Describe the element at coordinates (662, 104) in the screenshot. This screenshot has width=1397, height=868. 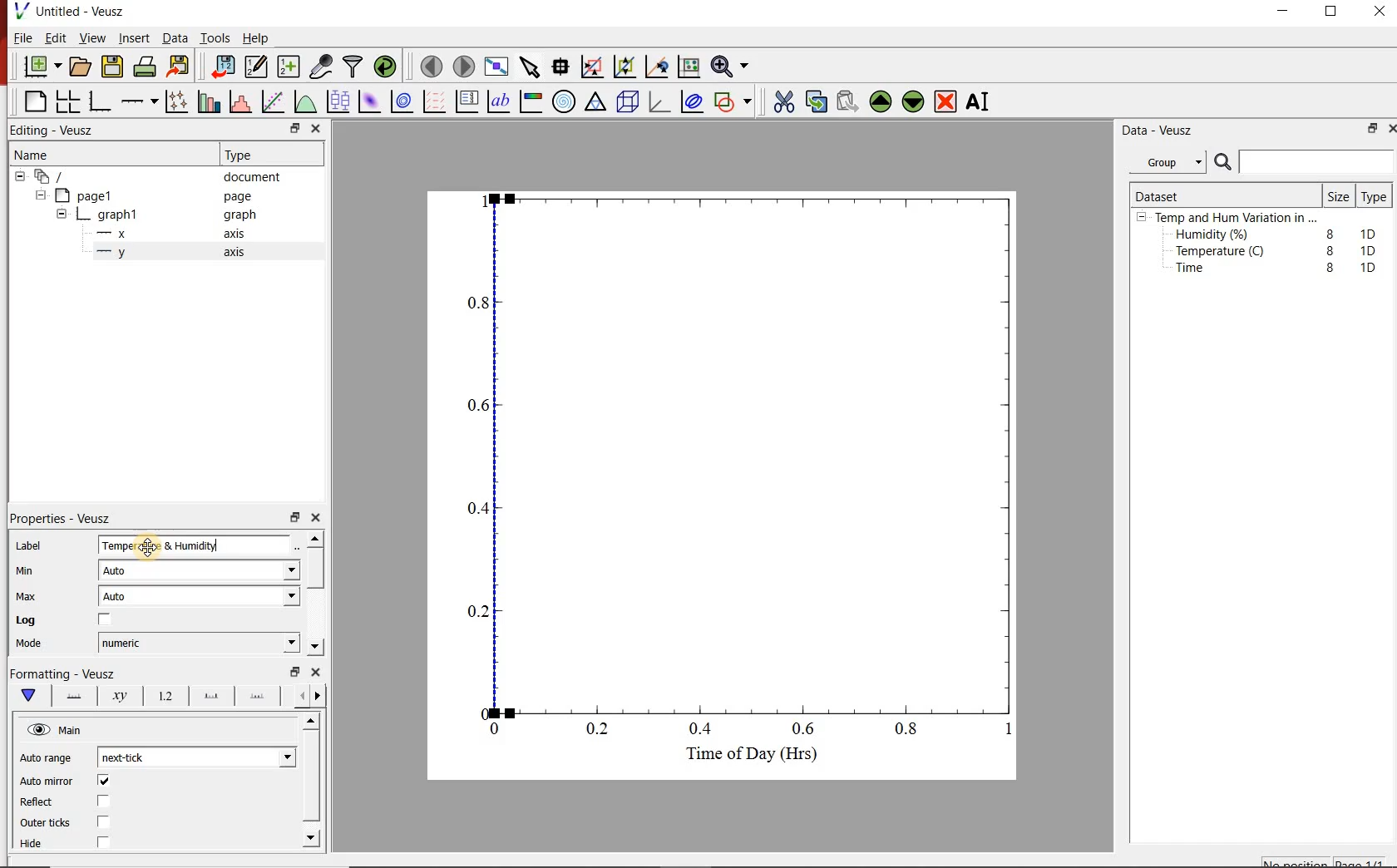
I see `3d graph` at that location.